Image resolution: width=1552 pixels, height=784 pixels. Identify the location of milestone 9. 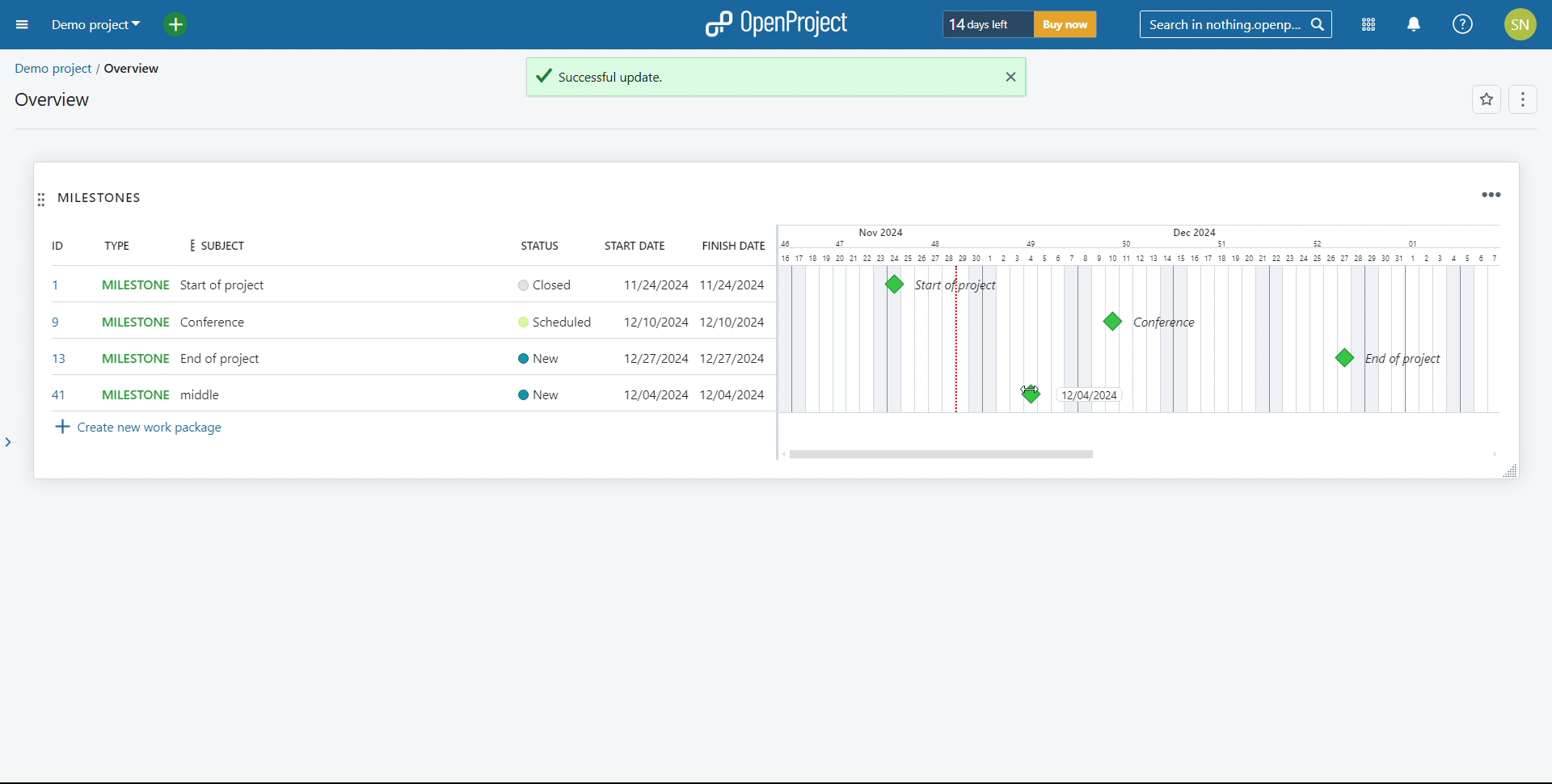
(1112, 322).